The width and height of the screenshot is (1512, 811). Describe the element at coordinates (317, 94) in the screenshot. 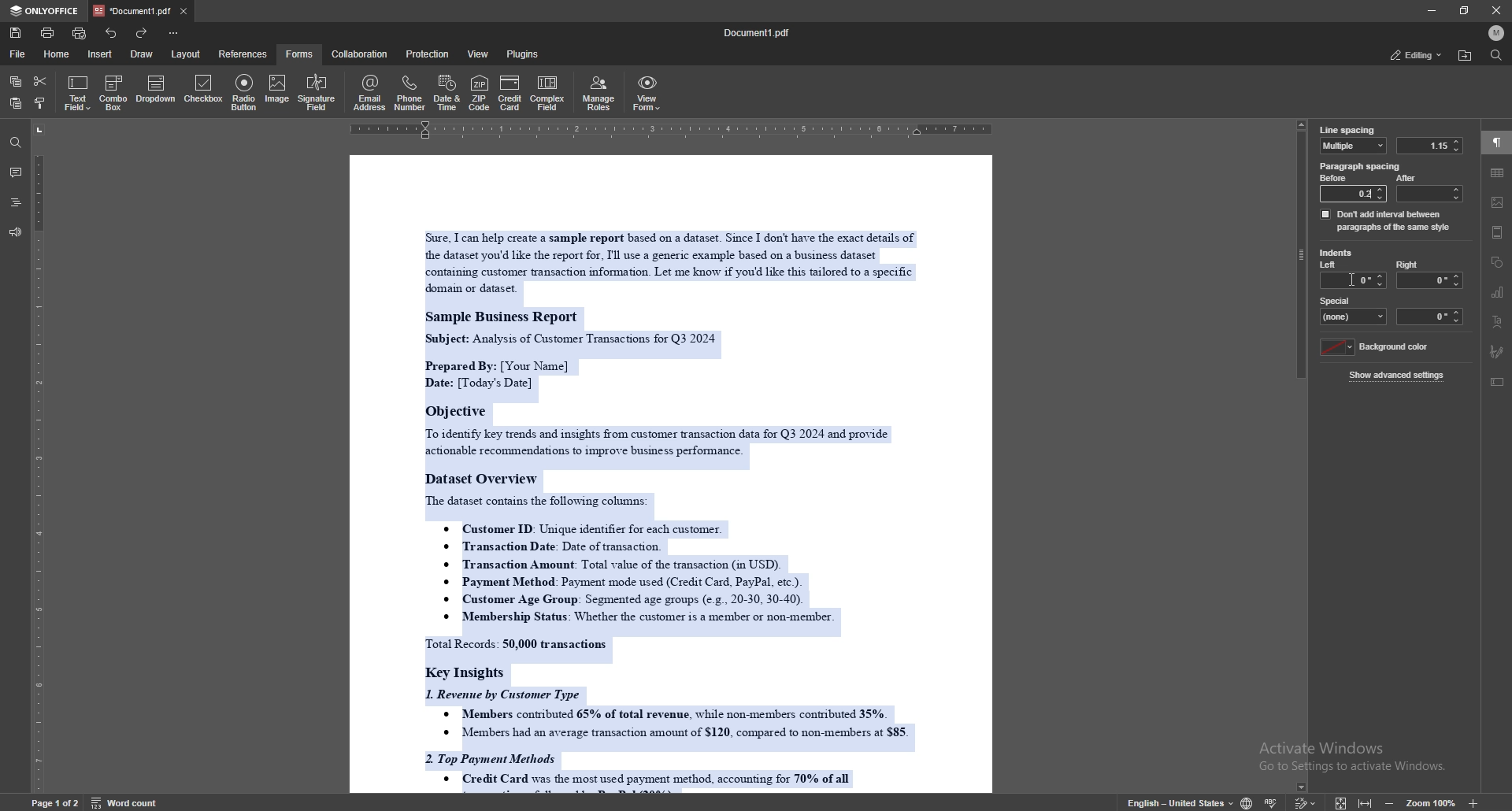

I see `signature field` at that location.